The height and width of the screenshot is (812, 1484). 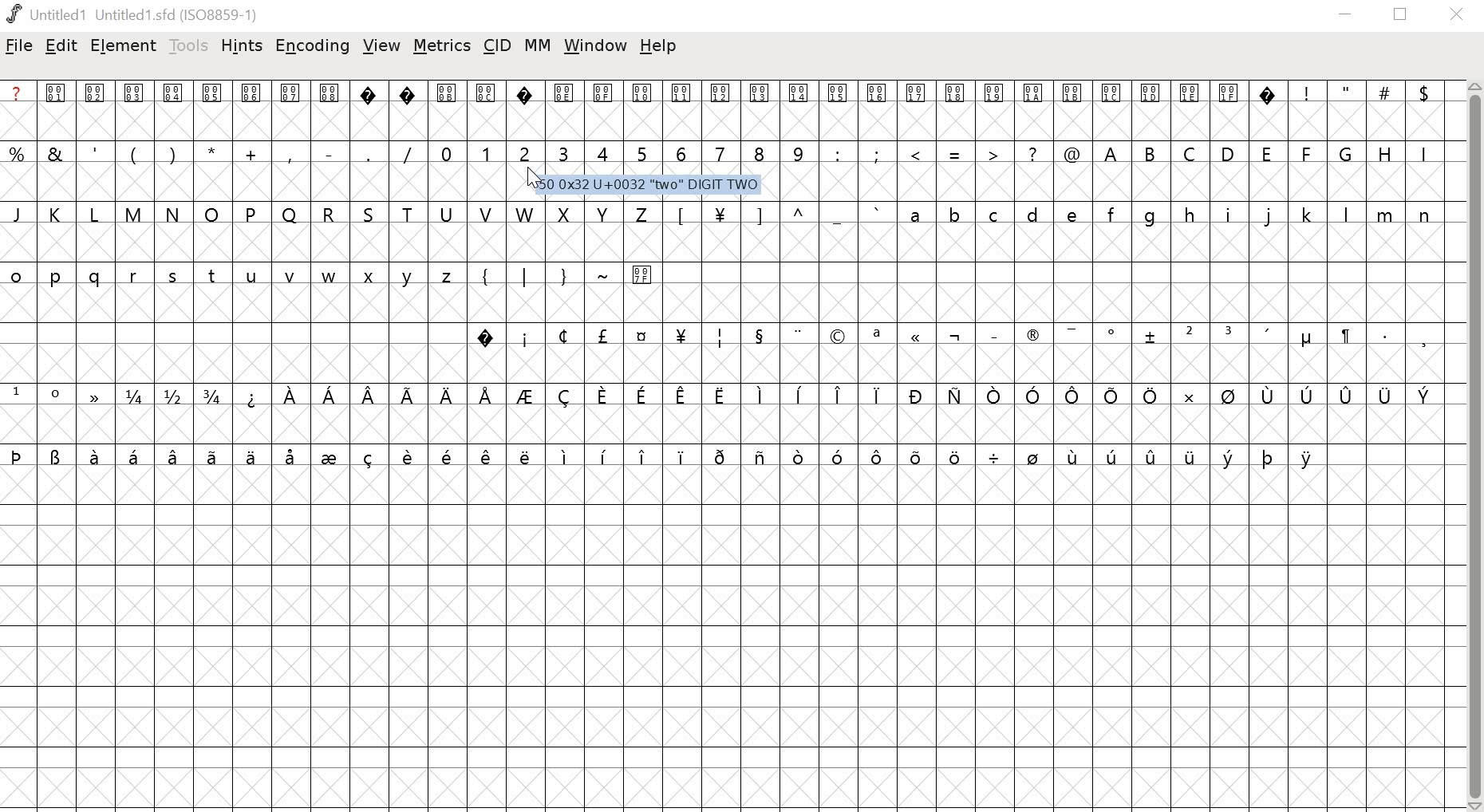 I want to click on encoding, so click(x=314, y=45).